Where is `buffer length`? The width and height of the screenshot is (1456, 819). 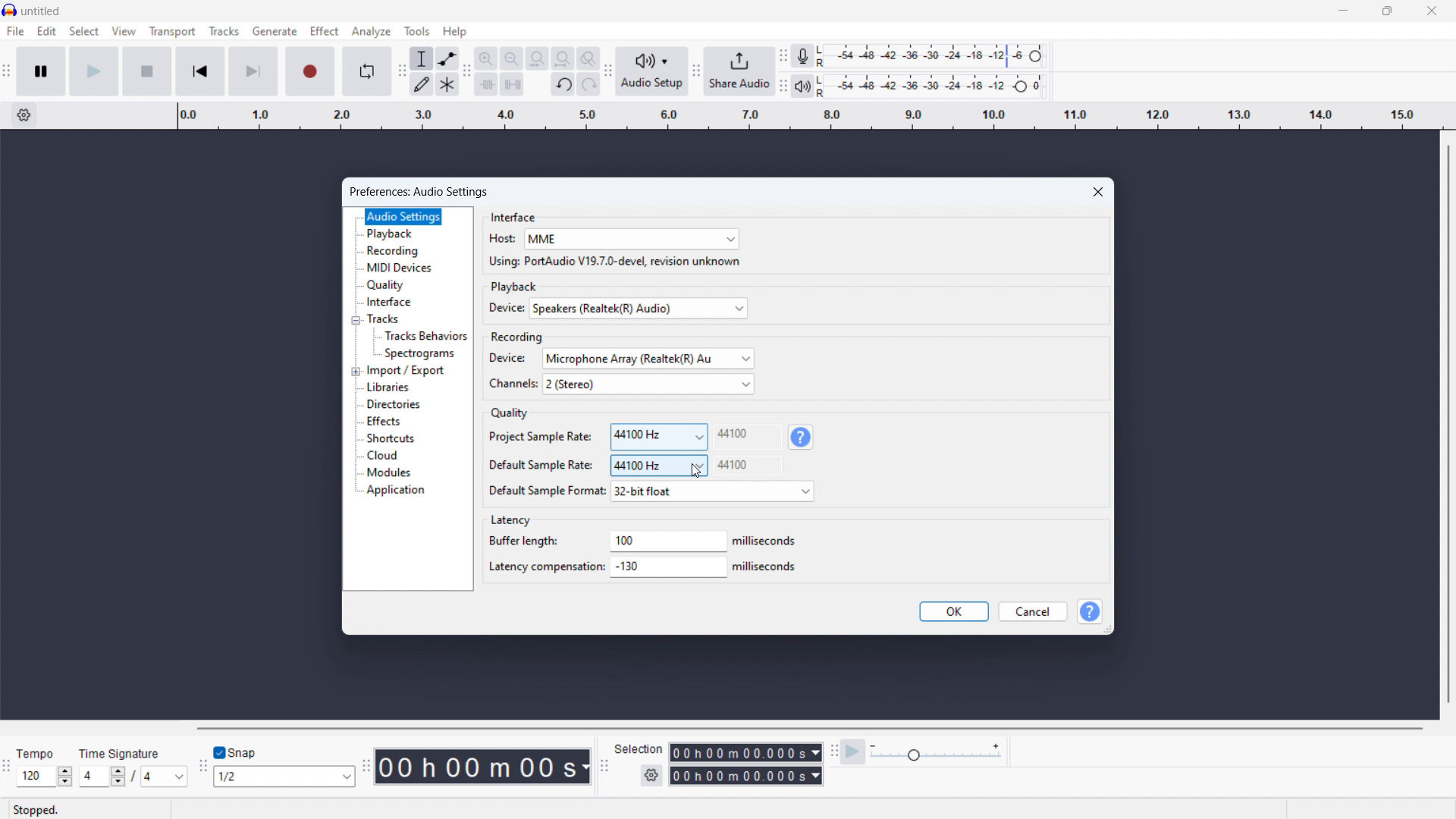 buffer length is located at coordinates (667, 541).